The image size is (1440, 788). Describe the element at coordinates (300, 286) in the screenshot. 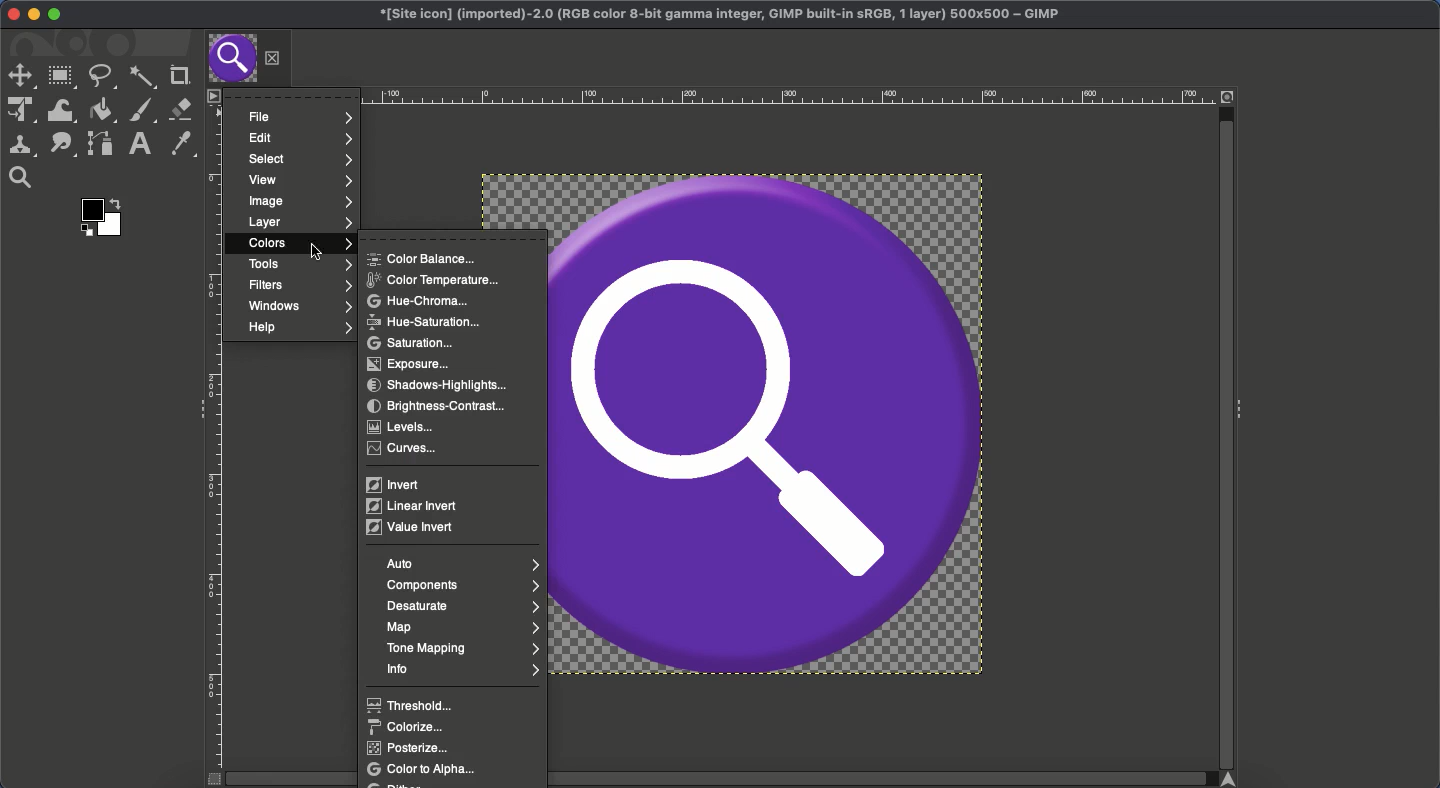

I see `Filters` at that location.